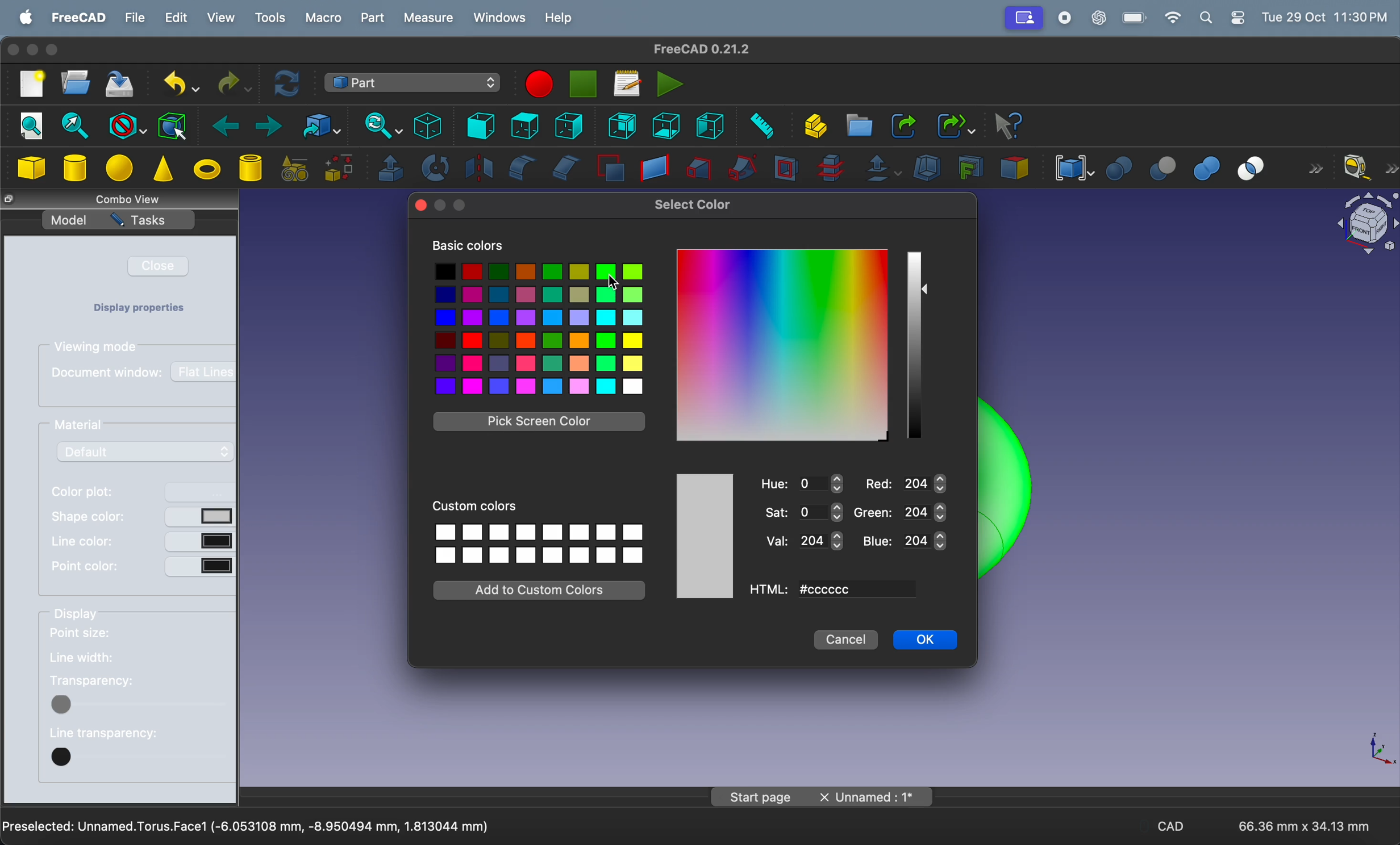 The width and height of the screenshot is (1400, 845). What do you see at coordinates (1370, 168) in the screenshot?
I see `measure liner` at bounding box center [1370, 168].